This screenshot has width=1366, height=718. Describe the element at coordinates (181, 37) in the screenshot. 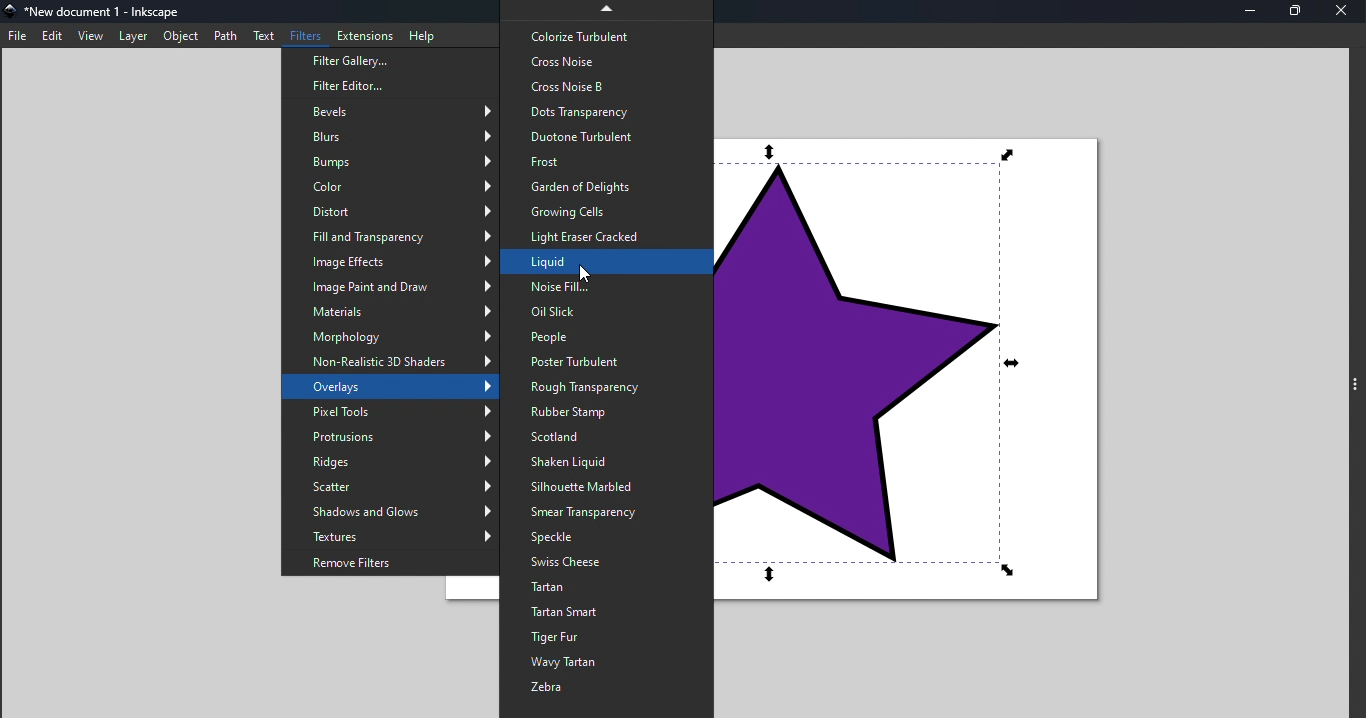

I see `Object` at that location.